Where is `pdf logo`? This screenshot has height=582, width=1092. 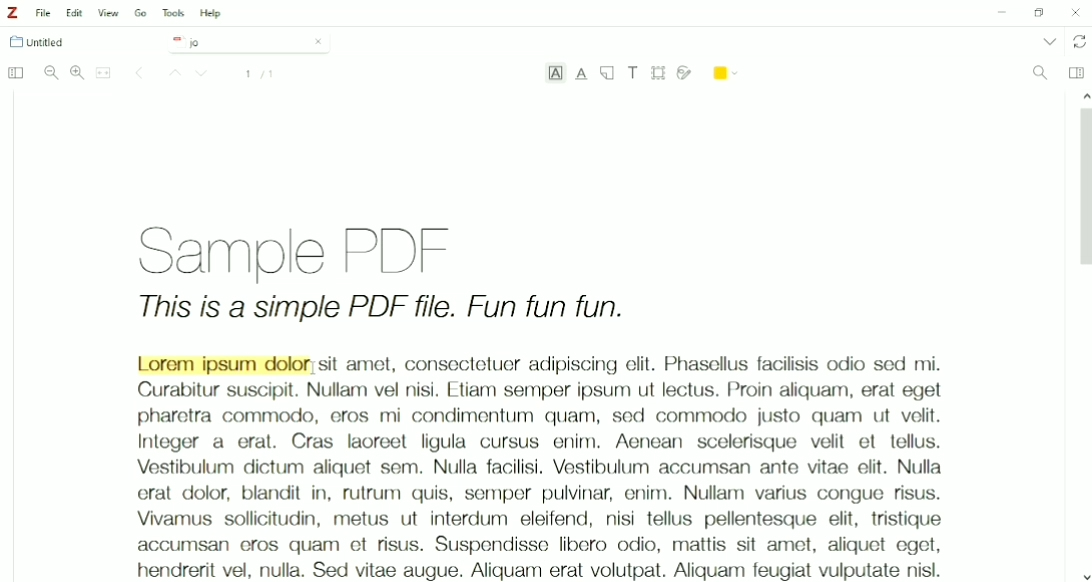
pdf logo is located at coordinates (174, 41).